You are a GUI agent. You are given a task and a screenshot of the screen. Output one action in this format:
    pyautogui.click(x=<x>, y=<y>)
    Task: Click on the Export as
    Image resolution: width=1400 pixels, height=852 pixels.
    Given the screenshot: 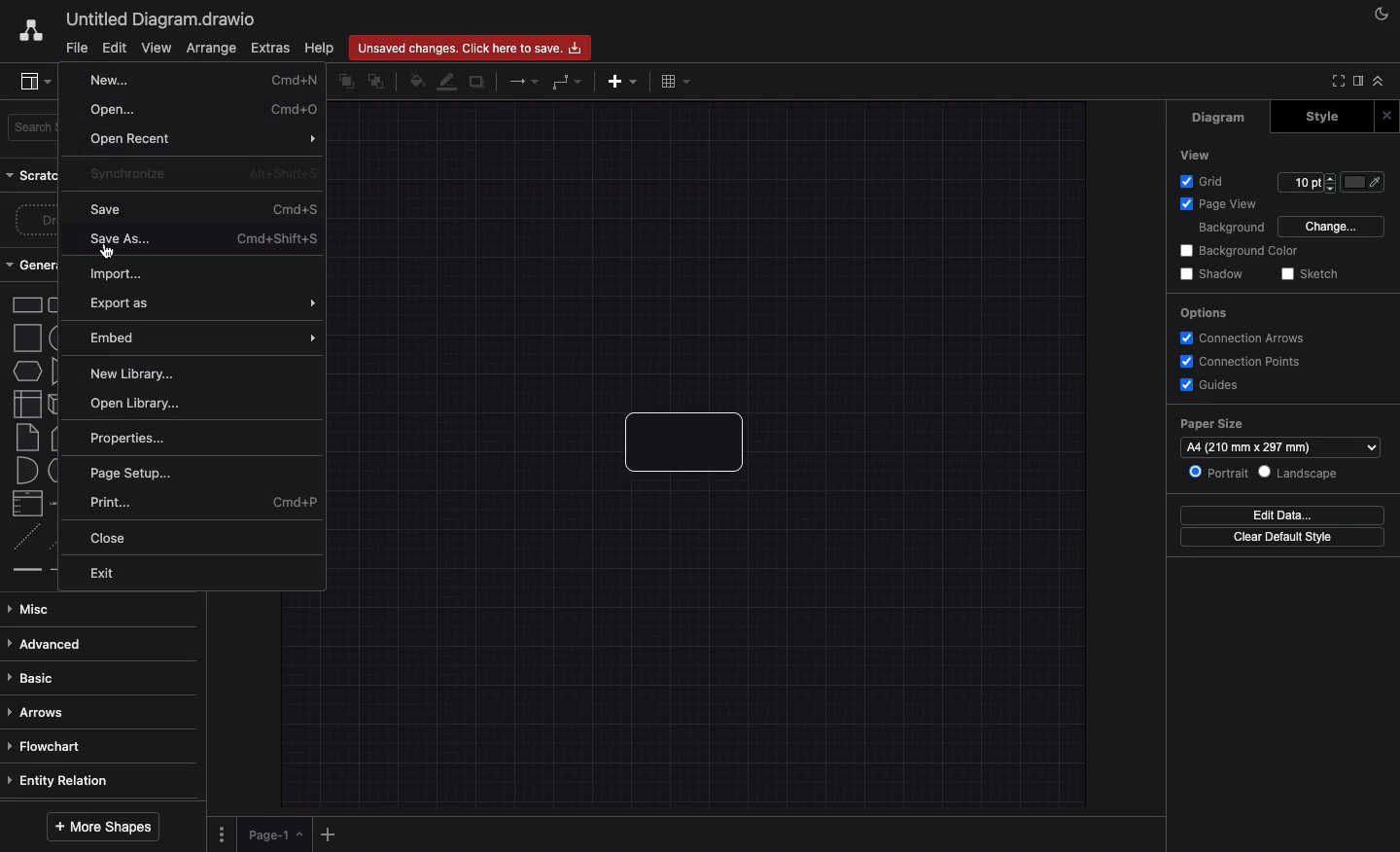 What is the action you would take?
    pyautogui.click(x=206, y=305)
    